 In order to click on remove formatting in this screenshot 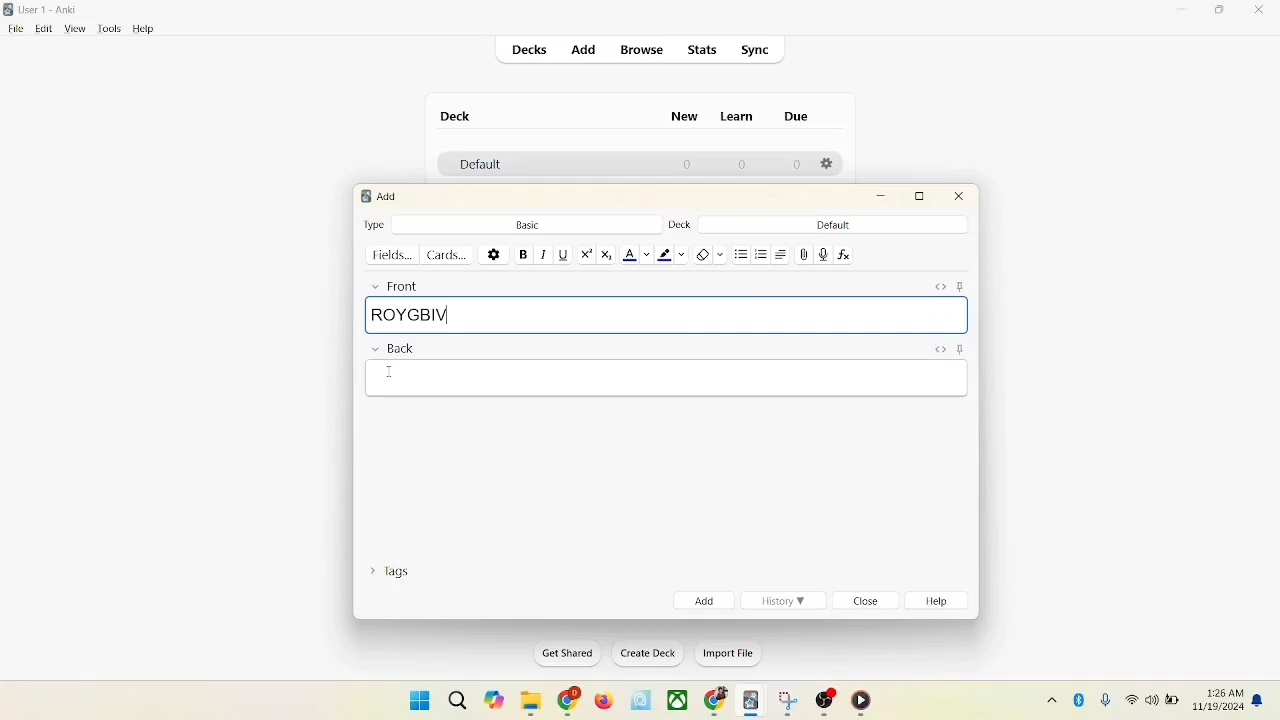, I will do `click(708, 253)`.